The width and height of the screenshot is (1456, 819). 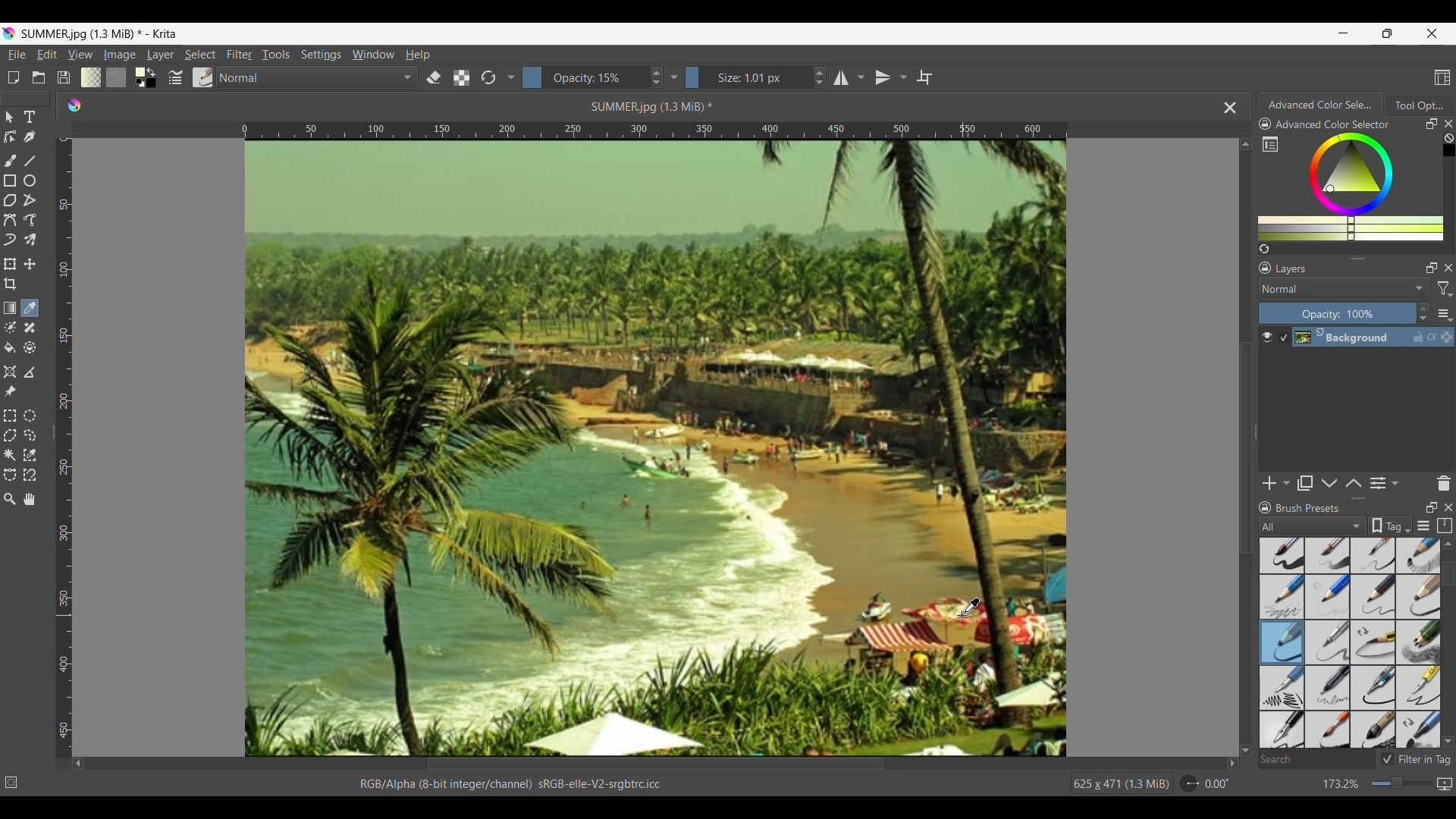 I want to click on Increase/Decrease size, so click(x=820, y=77).